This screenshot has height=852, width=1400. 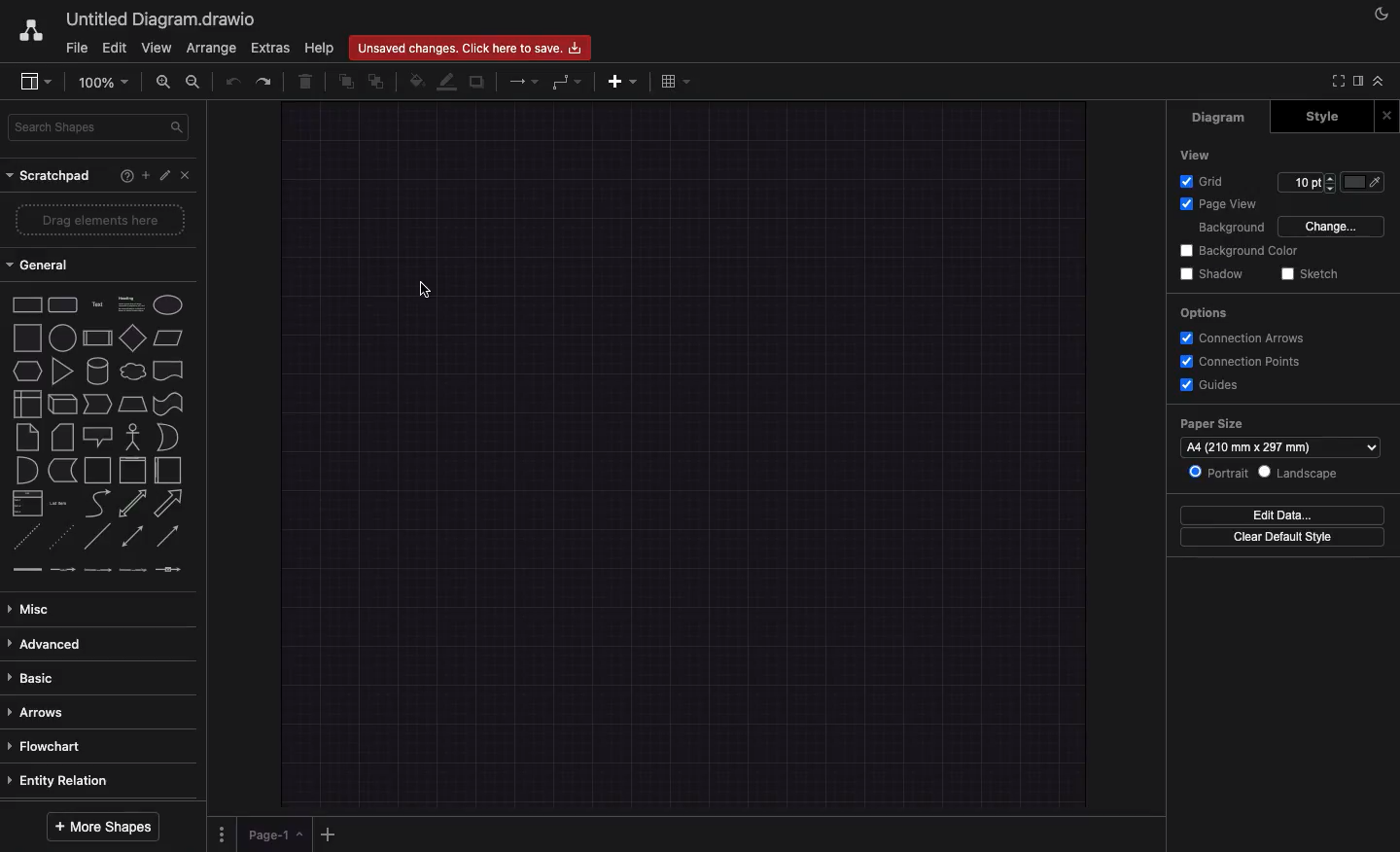 What do you see at coordinates (98, 404) in the screenshot?
I see `step` at bounding box center [98, 404].